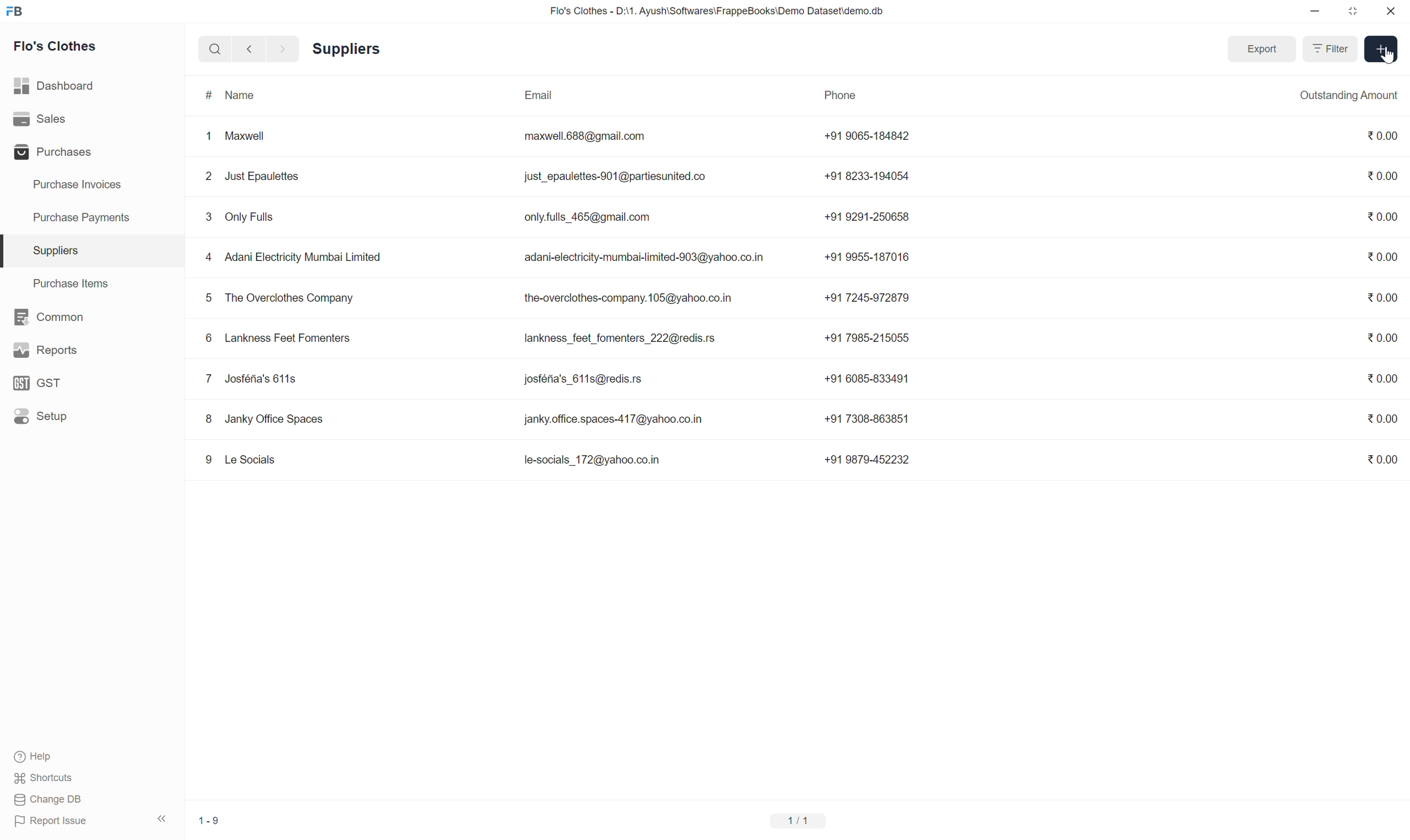  I want to click on Purchase Invoices, so click(91, 185).